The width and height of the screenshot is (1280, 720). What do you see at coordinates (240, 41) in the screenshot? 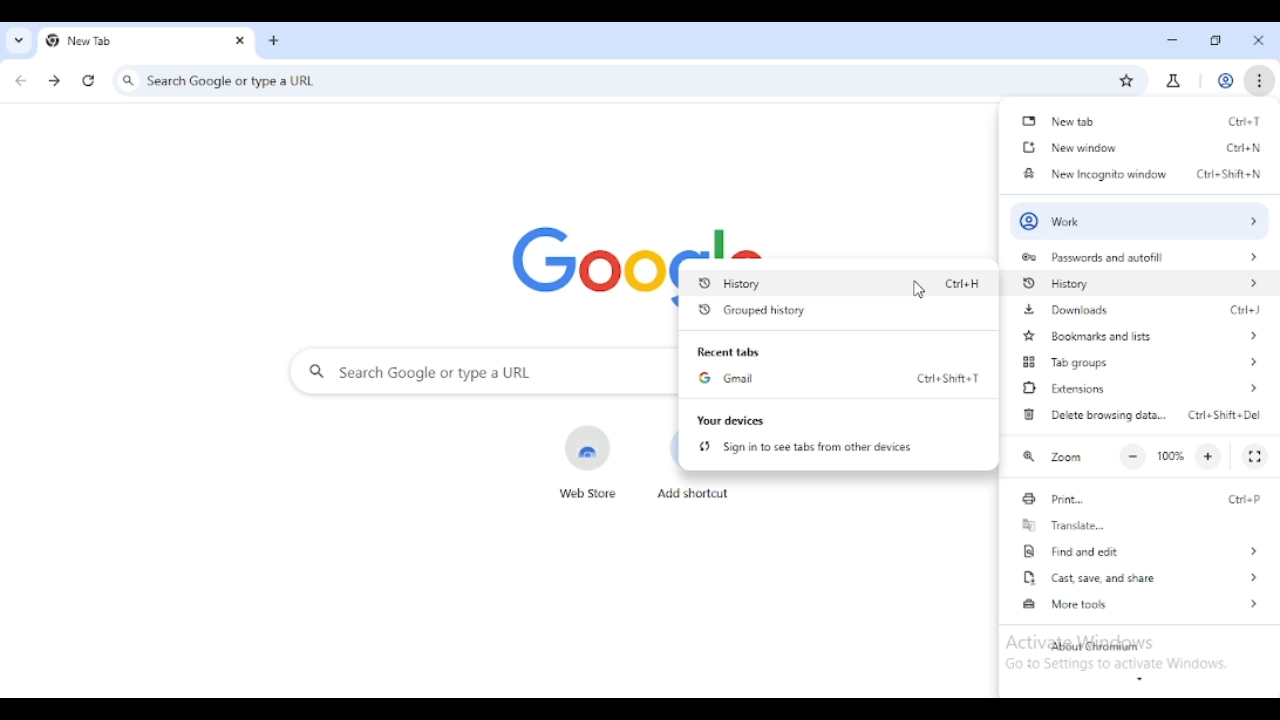
I see `close tab` at bounding box center [240, 41].